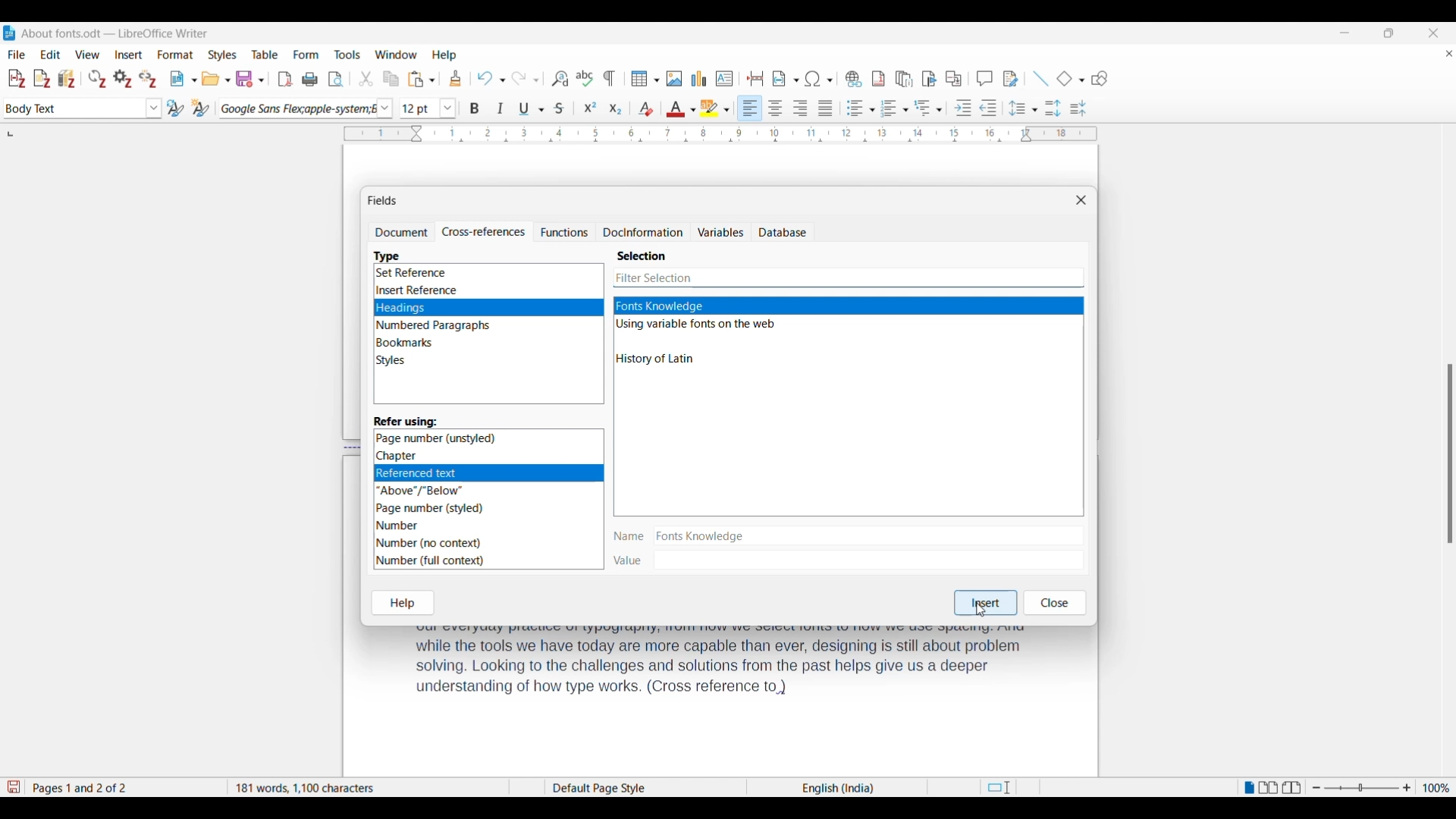 Image resolution: width=1456 pixels, height=819 pixels. Describe the element at coordinates (147, 80) in the screenshot. I see `Unlink citations` at that location.